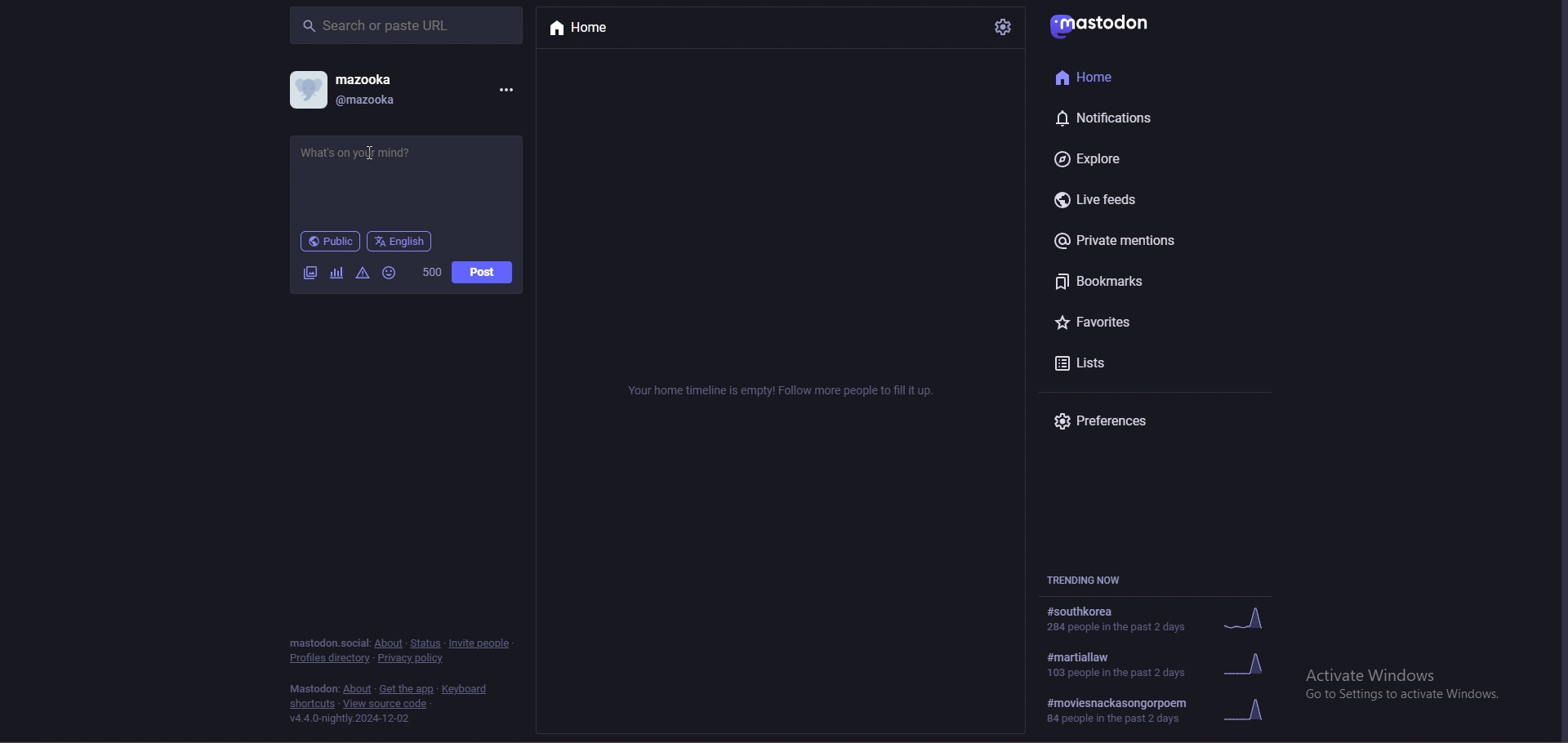  What do you see at coordinates (413, 657) in the screenshot?
I see `privacy policy` at bounding box center [413, 657].